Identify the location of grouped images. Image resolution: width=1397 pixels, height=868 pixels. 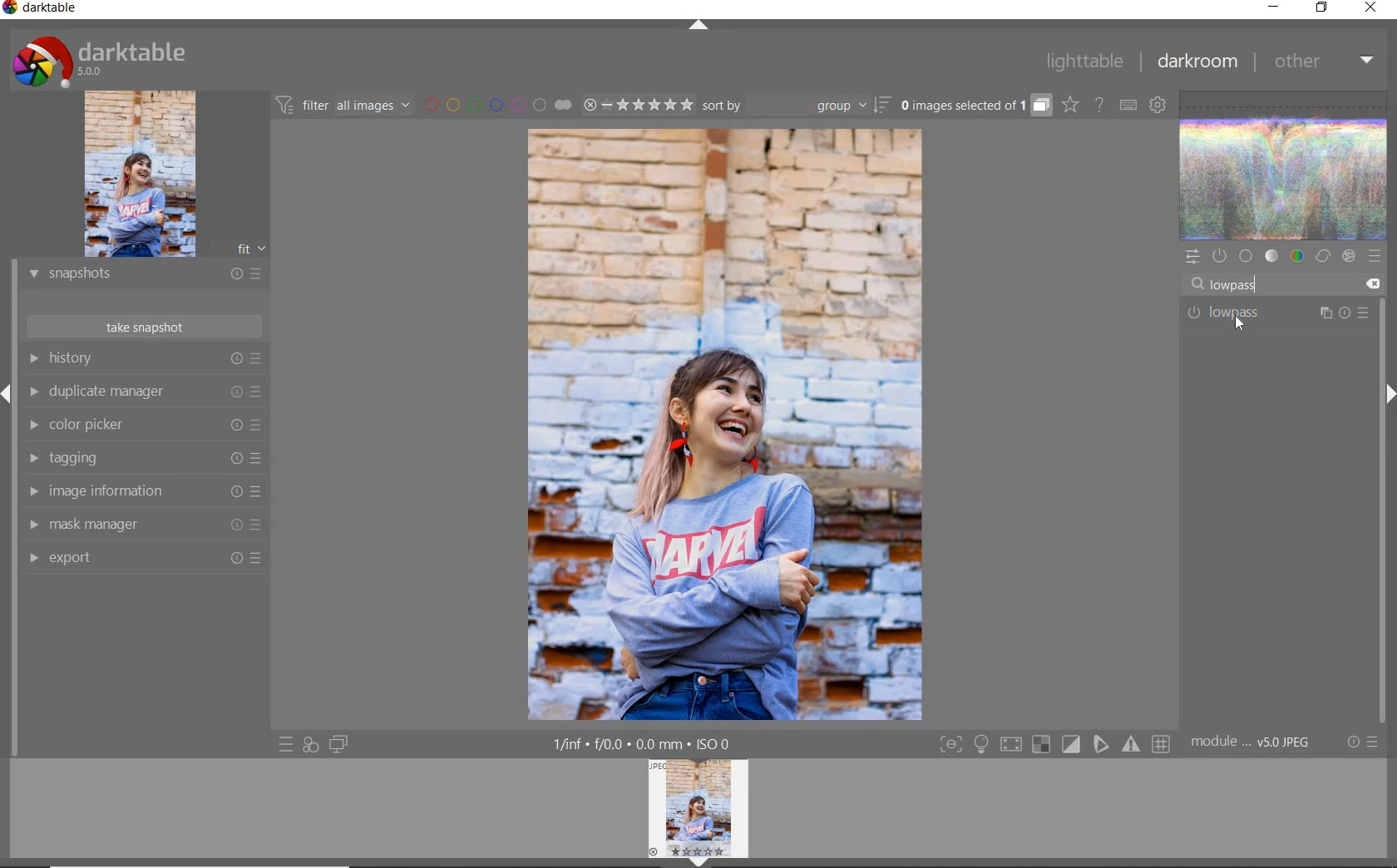
(975, 106).